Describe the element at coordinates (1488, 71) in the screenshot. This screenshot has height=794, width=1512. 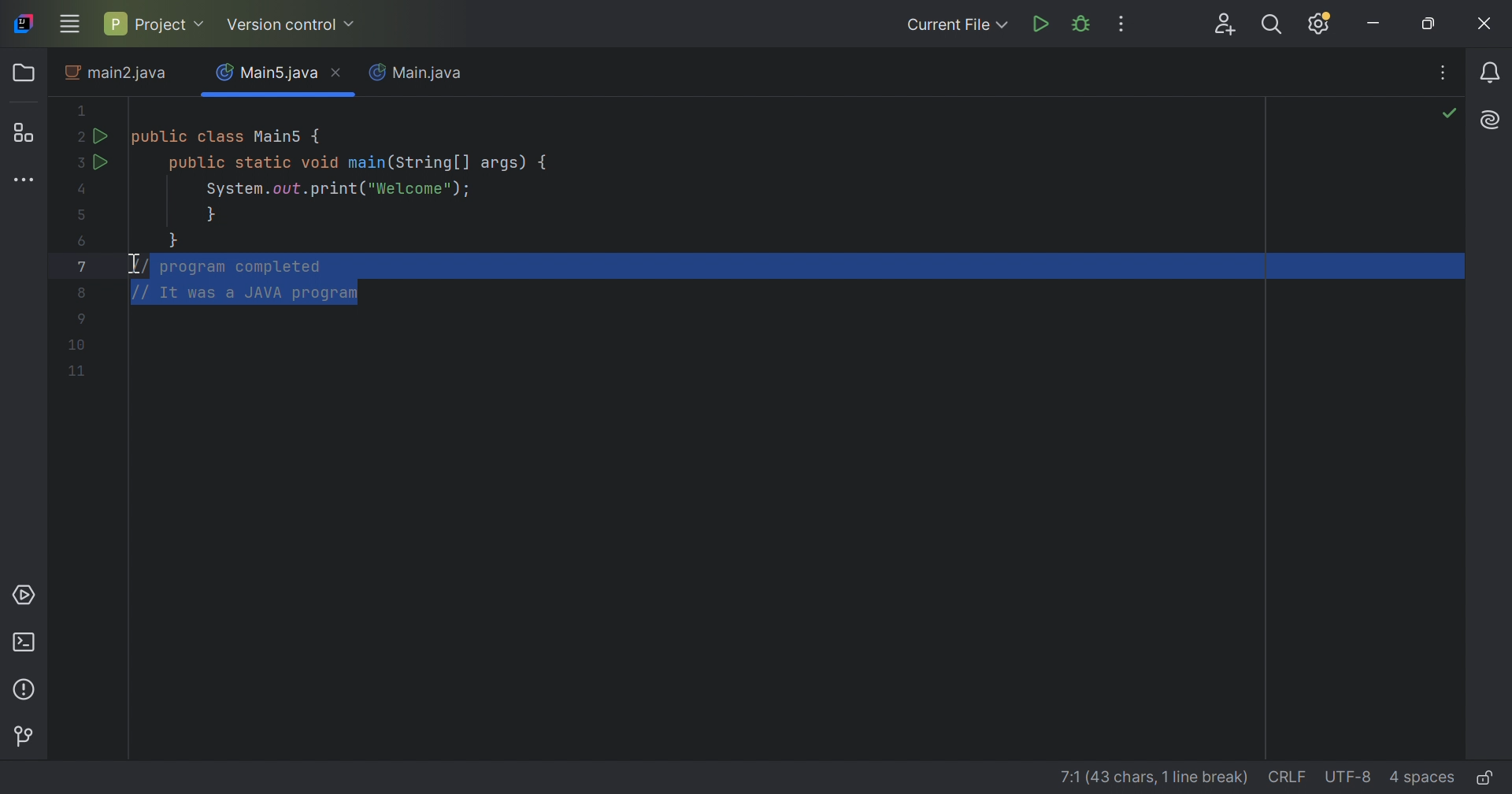
I see `Notifications` at that location.